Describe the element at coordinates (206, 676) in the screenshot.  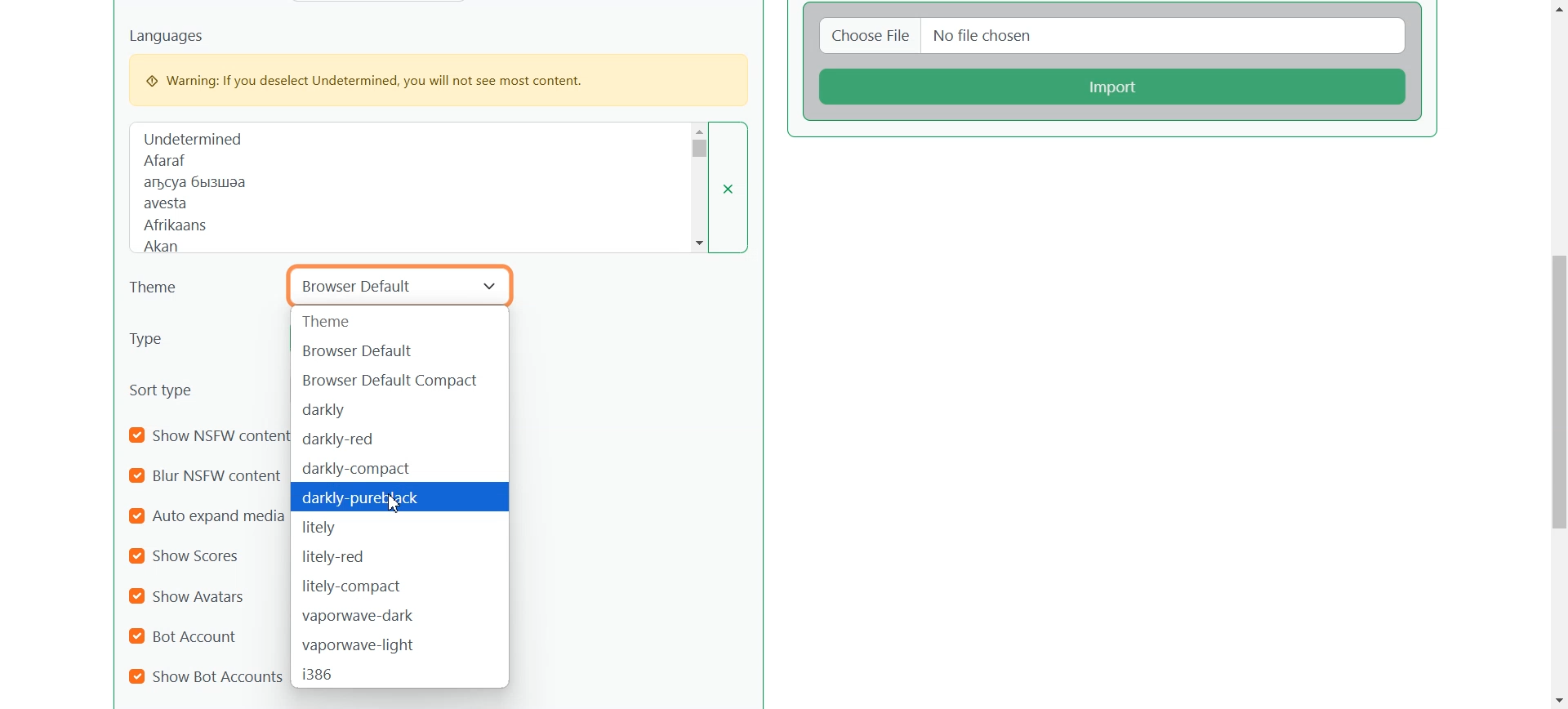
I see `Show Bot Accounts` at that location.